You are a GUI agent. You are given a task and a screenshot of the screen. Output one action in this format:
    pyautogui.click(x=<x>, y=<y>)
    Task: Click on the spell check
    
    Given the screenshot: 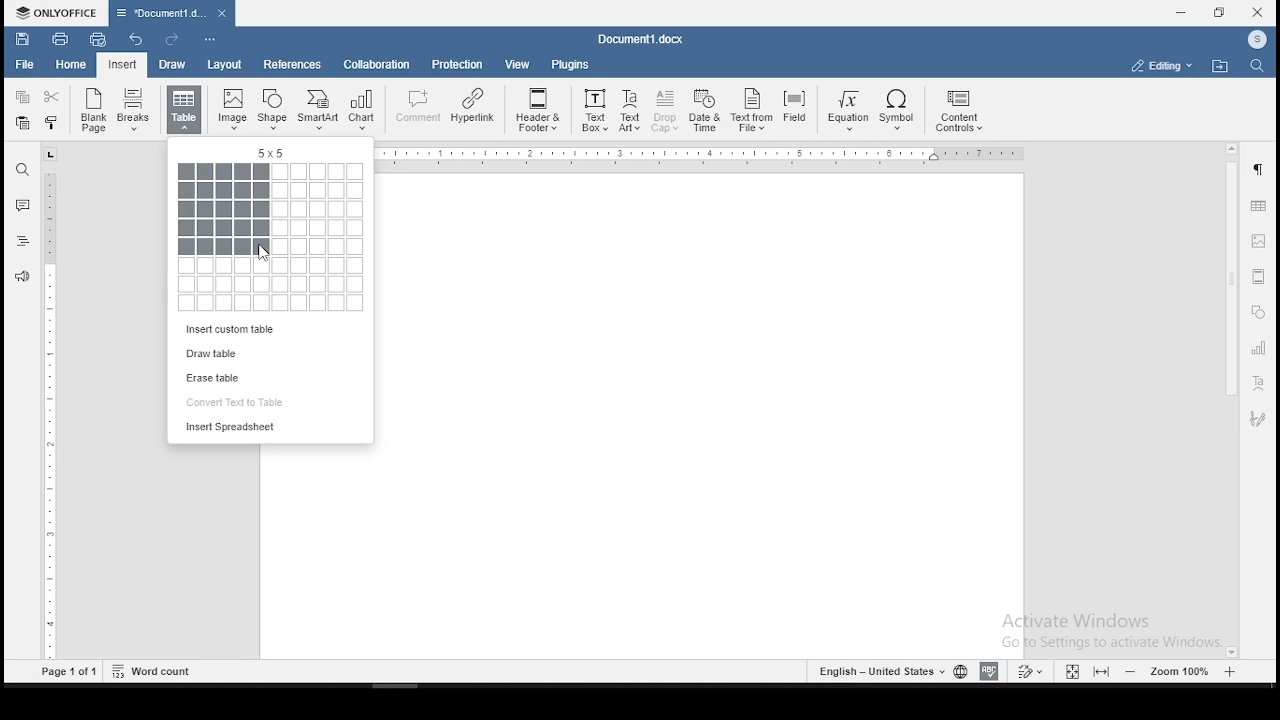 What is the action you would take?
    pyautogui.click(x=989, y=672)
    